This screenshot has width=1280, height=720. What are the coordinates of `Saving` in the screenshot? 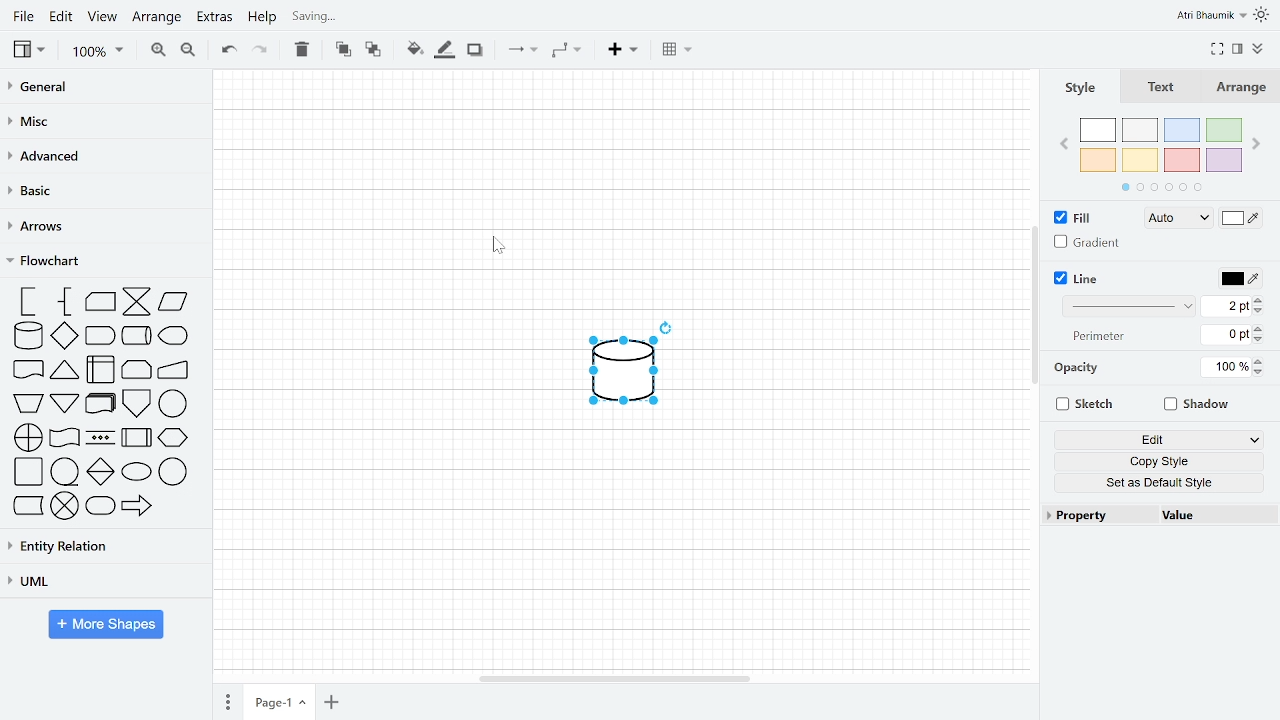 It's located at (322, 20).